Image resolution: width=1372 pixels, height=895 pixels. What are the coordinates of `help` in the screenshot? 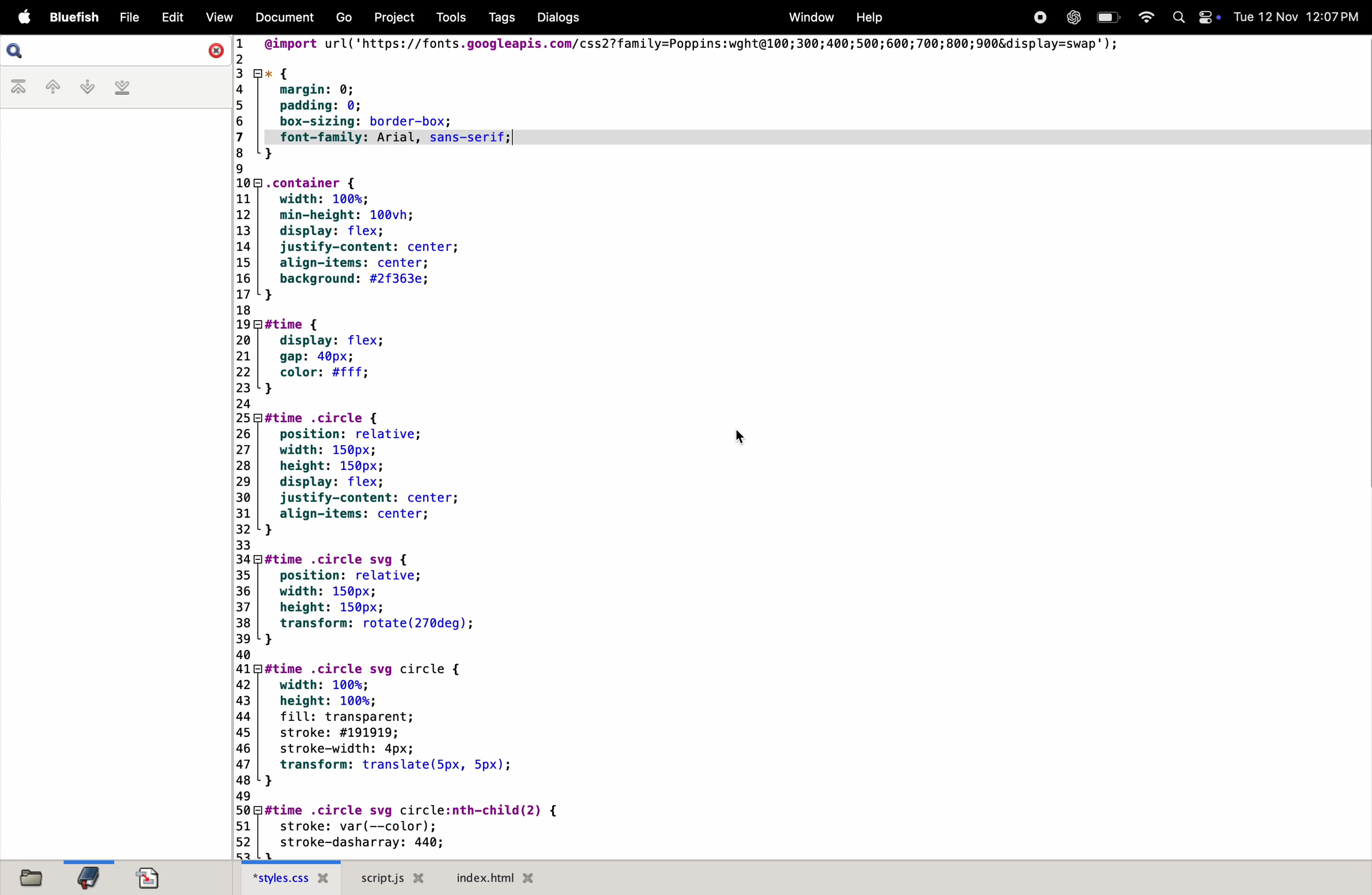 It's located at (866, 17).